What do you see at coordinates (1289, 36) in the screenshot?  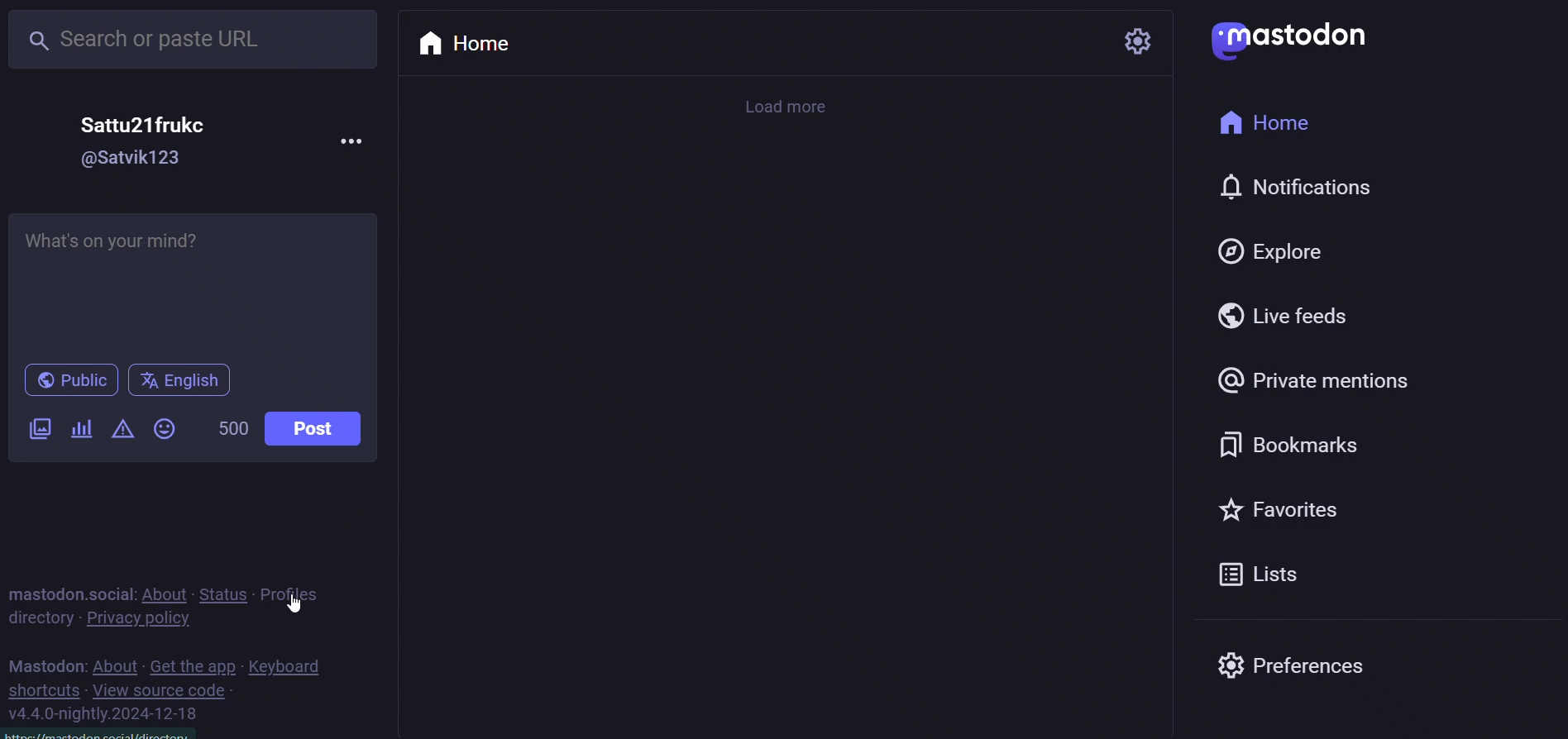 I see `logo` at bounding box center [1289, 36].